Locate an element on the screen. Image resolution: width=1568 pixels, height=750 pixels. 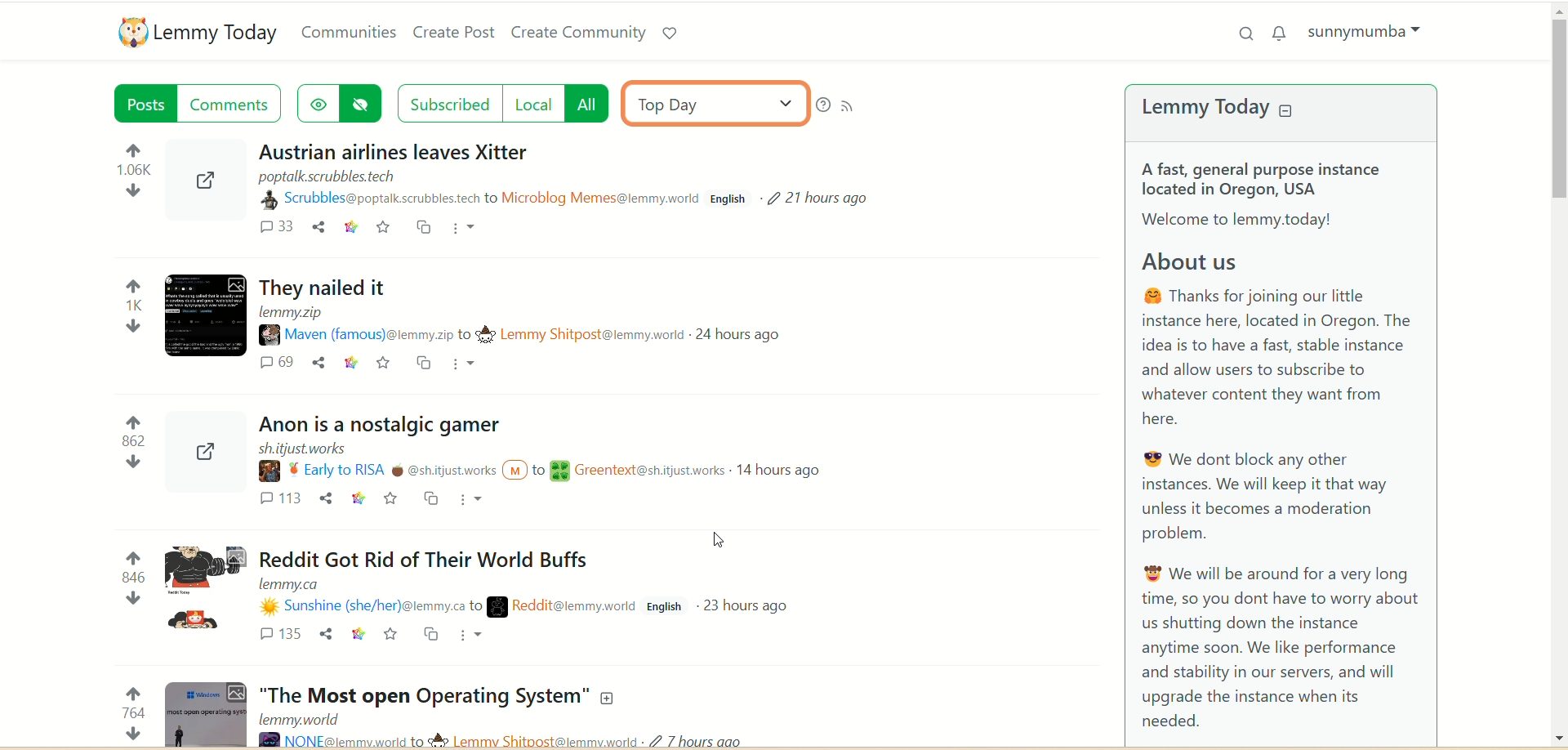
all is located at coordinates (595, 103).